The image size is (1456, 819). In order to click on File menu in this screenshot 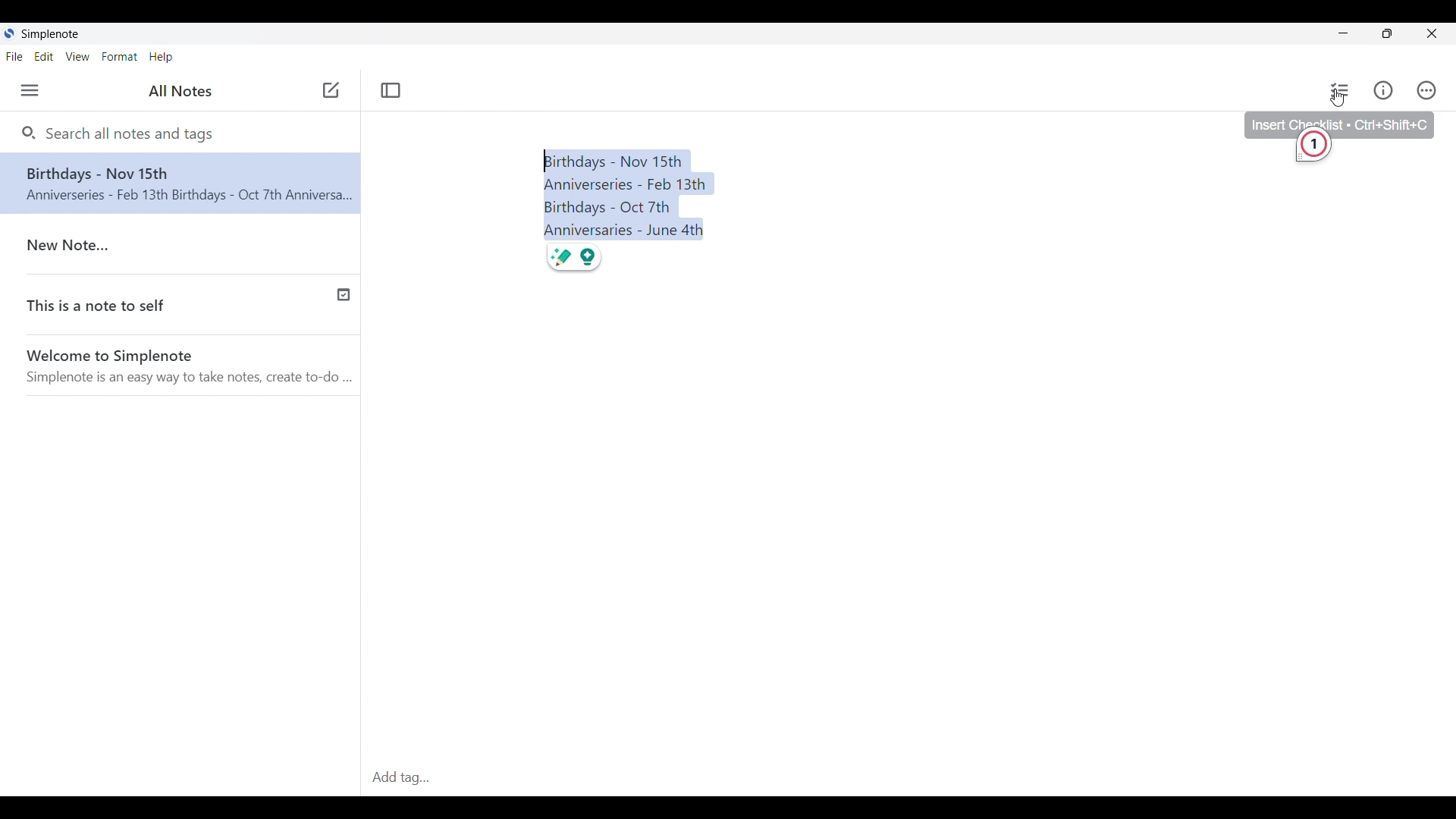, I will do `click(14, 56)`.